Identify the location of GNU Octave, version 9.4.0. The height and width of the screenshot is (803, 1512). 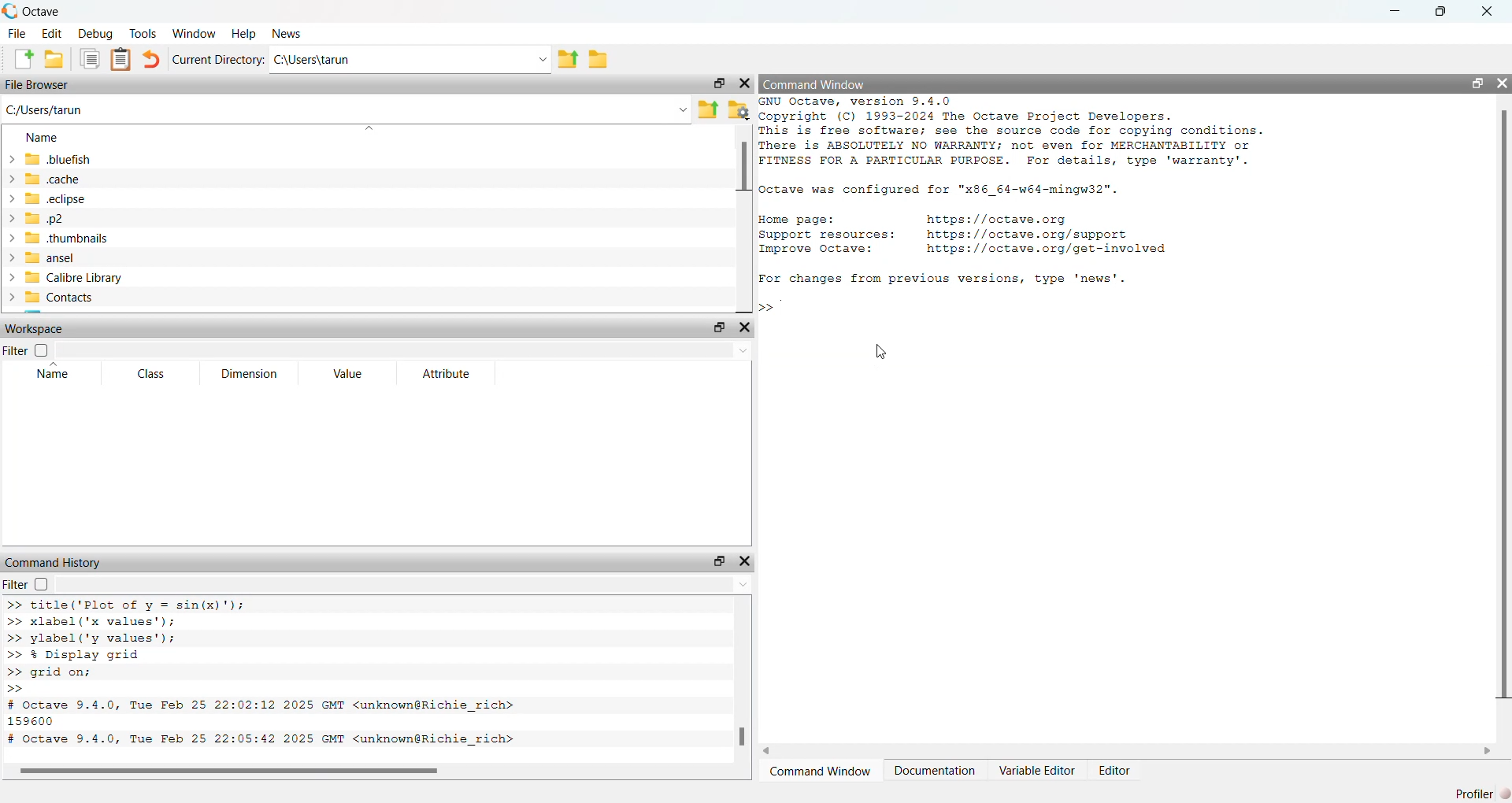
(858, 101).